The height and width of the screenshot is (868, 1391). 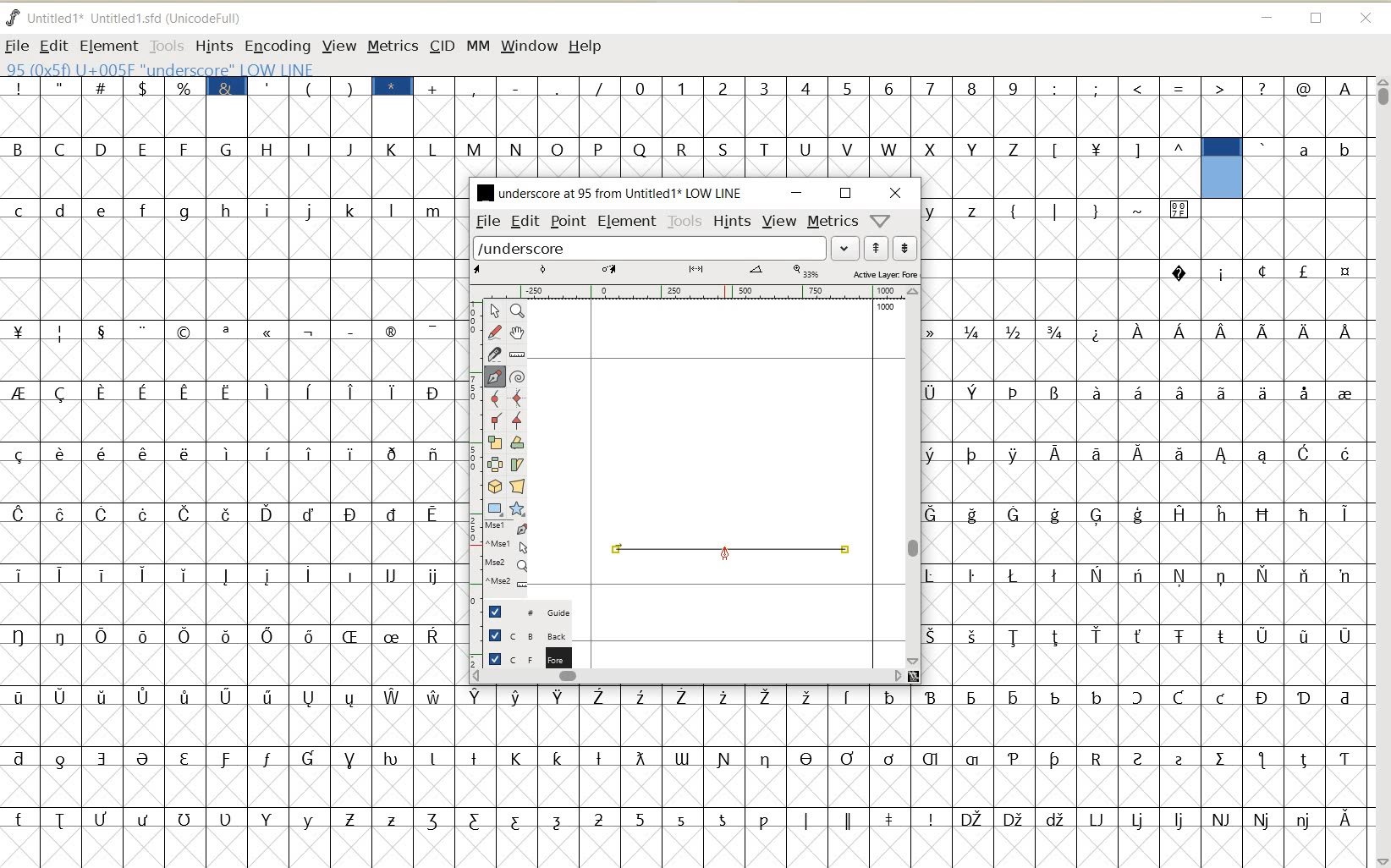 I want to click on rectangle or ellipse, so click(x=496, y=508).